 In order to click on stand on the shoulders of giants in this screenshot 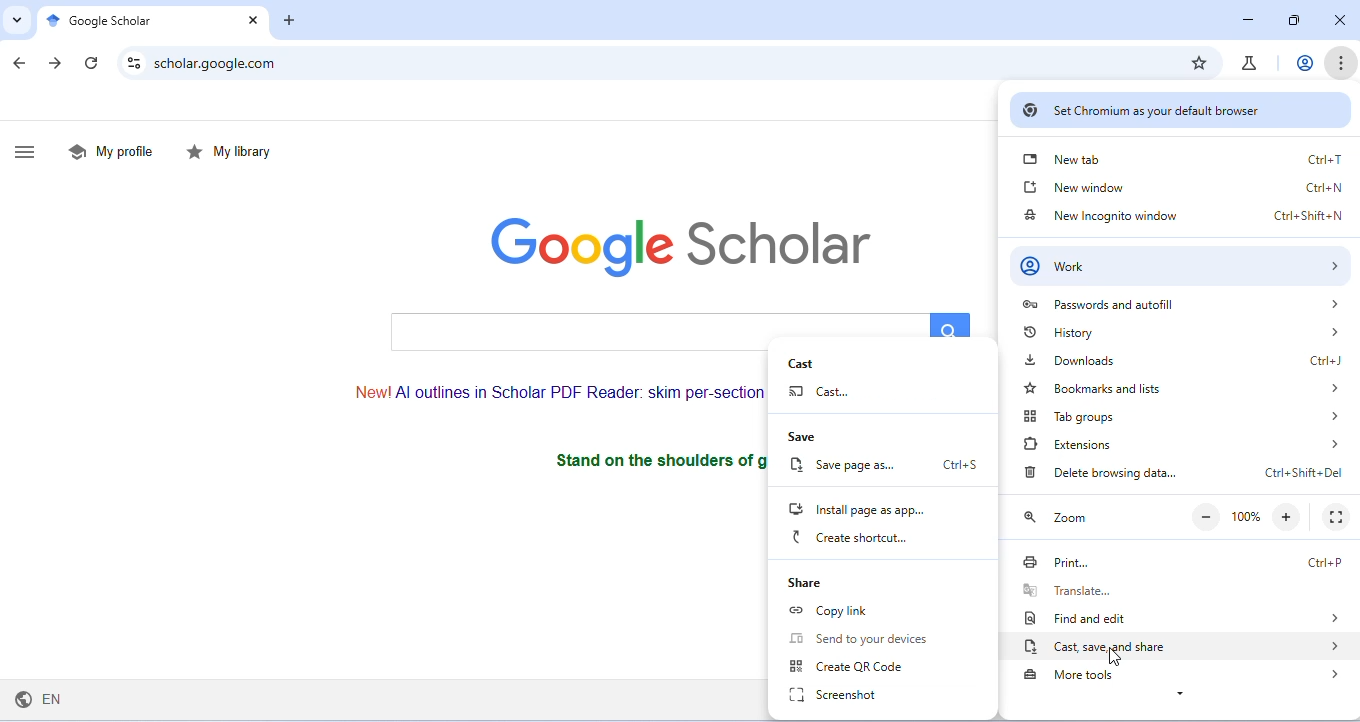, I will do `click(654, 459)`.